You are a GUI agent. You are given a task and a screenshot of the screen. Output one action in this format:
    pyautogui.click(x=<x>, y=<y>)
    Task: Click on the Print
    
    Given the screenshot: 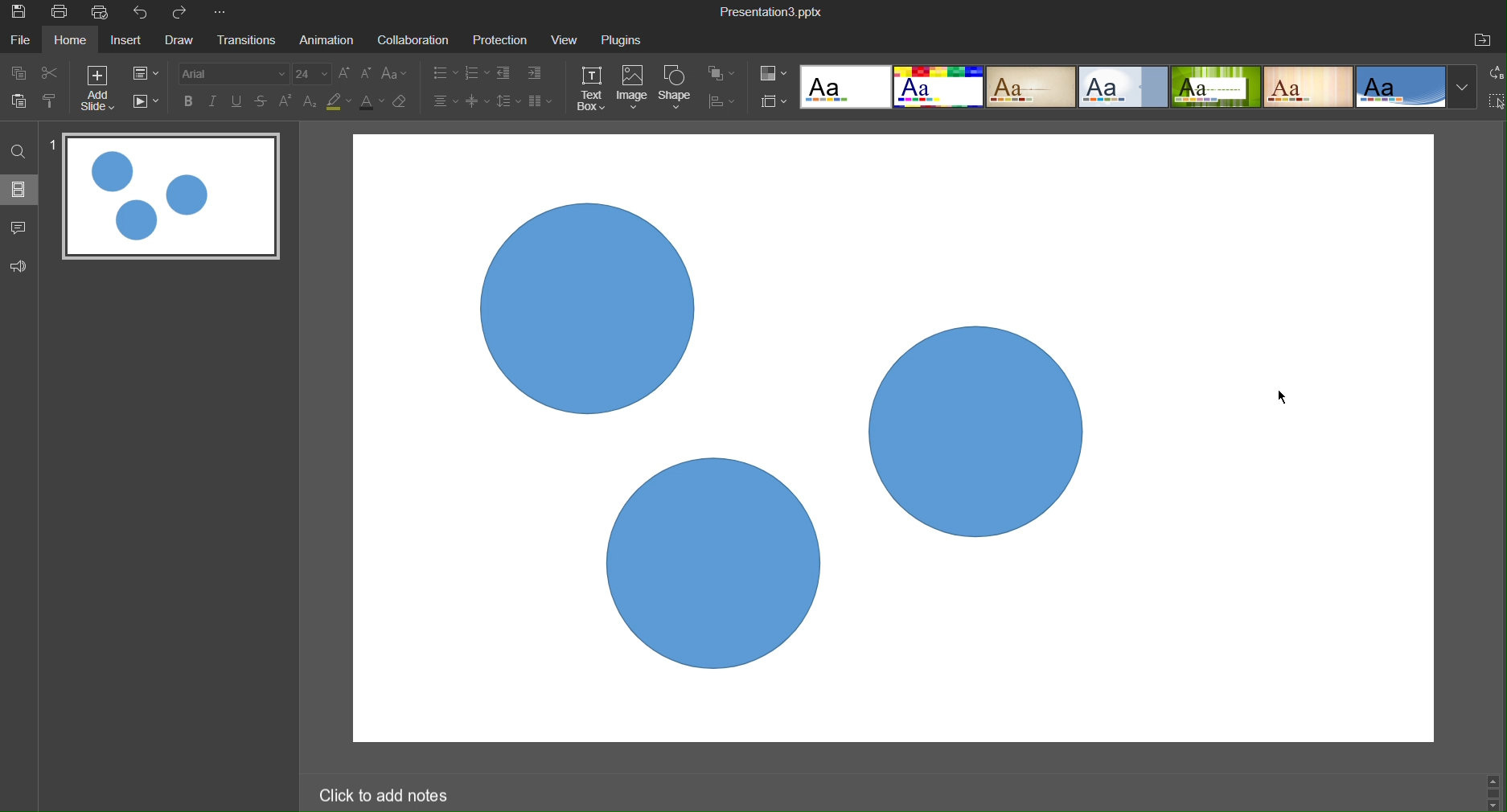 What is the action you would take?
    pyautogui.click(x=63, y=13)
    